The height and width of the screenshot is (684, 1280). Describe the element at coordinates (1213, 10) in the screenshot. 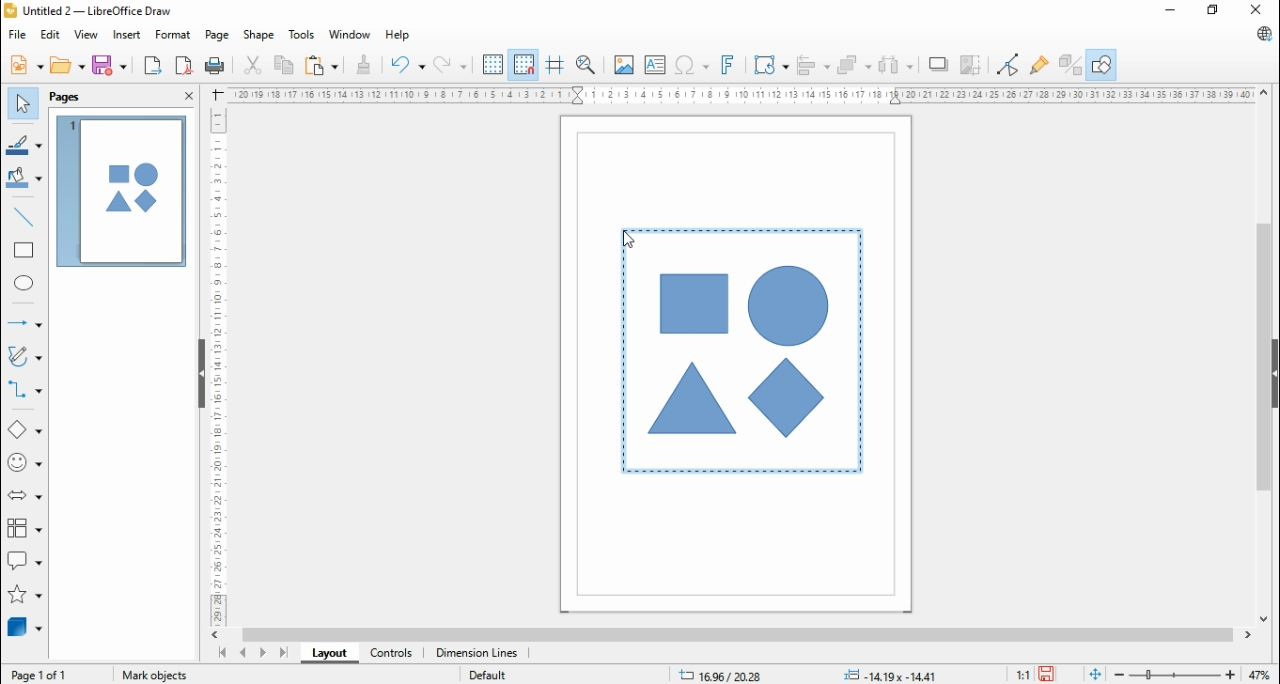

I see `restore` at that location.